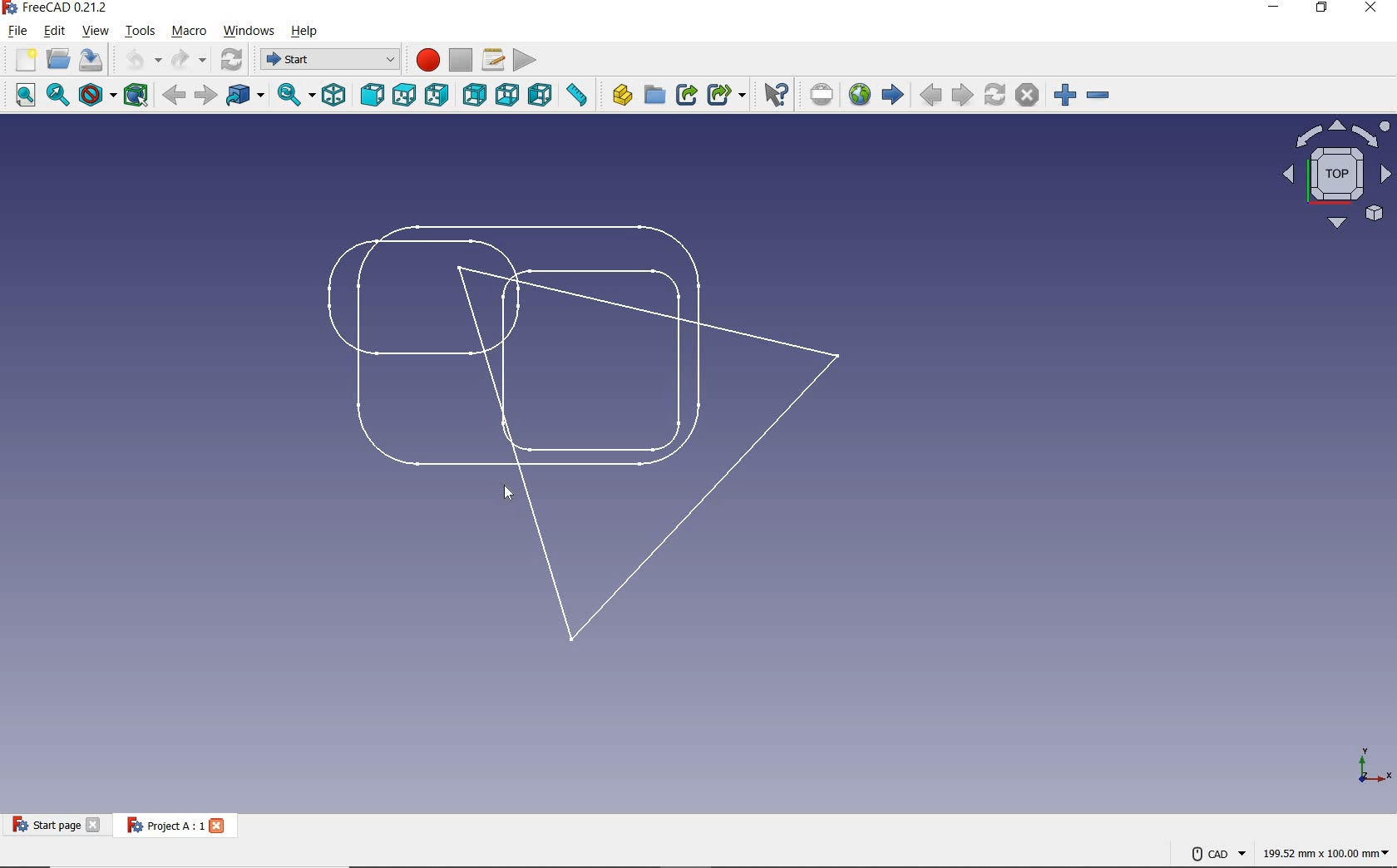 The height and width of the screenshot is (868, 1397). What do you see at coordinates (566, 425) in the screenshot?
I see `PROJECT DESIGN` at bounding box center [566, 425].